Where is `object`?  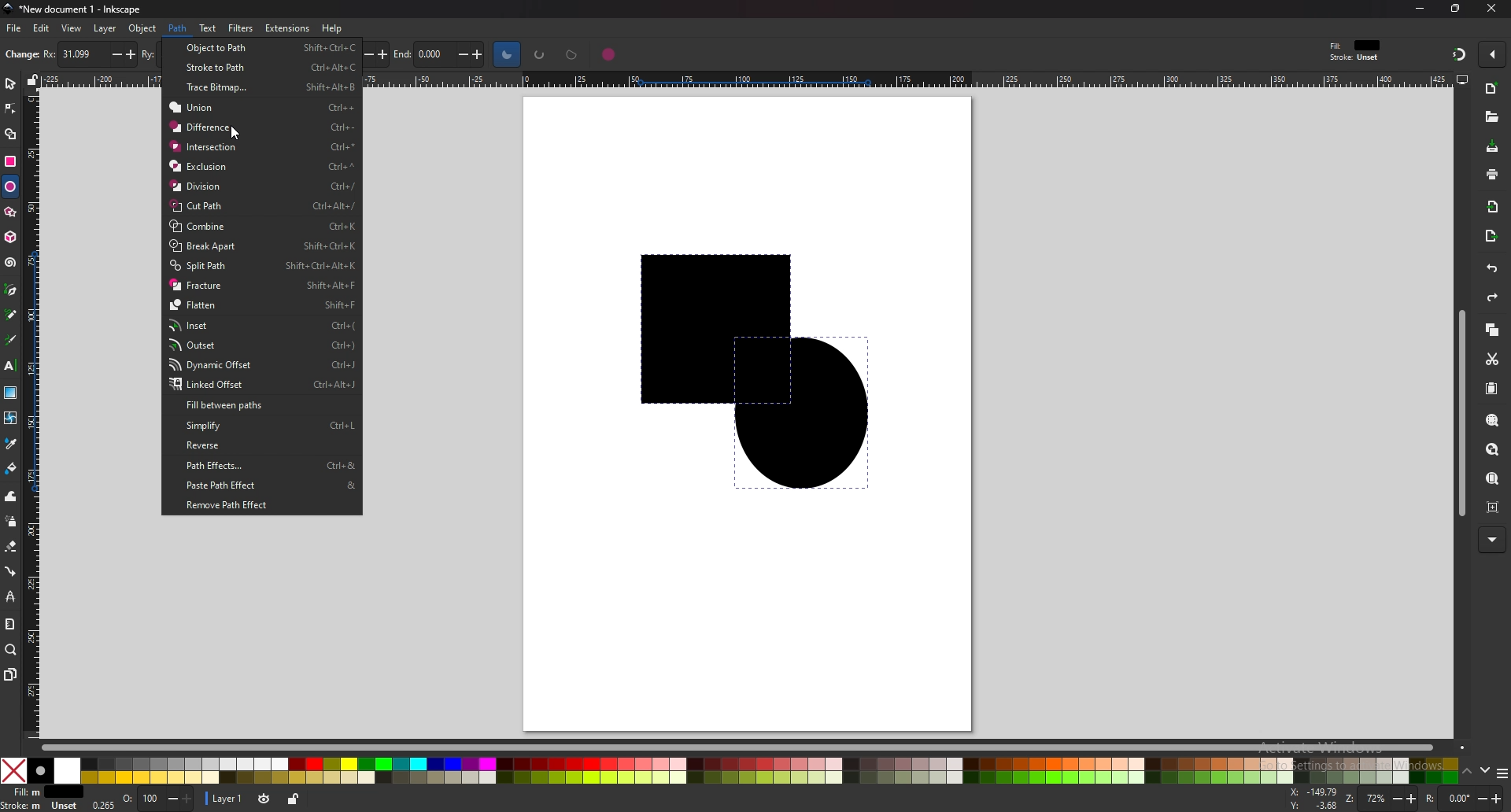
object is located at coordinates (142, 28).